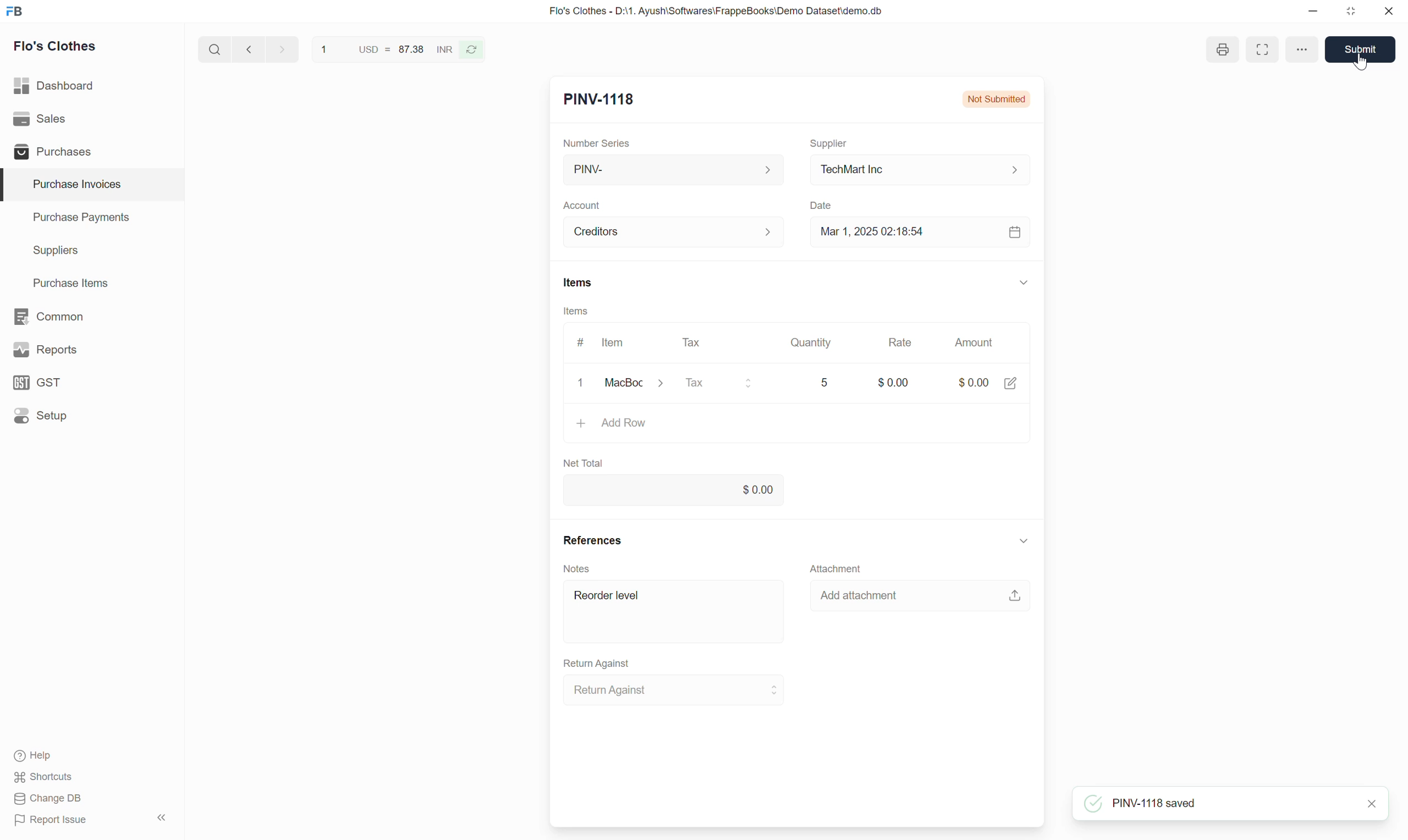 The image size is (1408, 840). What do you see at coordinates (601, 100) in the screenshot?
I see `New Entry` at bounding box center [601, 100].